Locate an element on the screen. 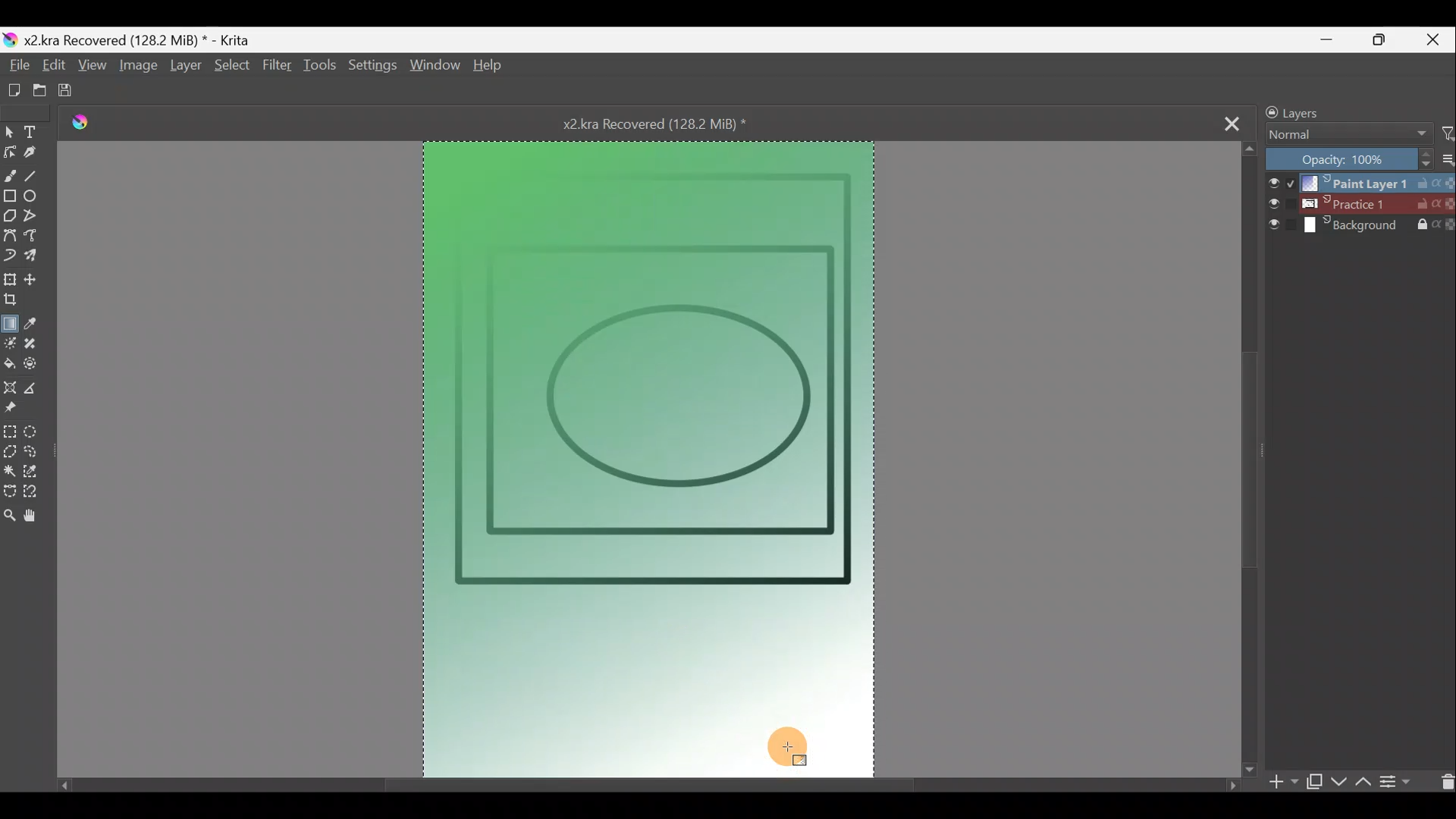 This screenshot has width=1456, height=819. Filter is located at coordinates (277, 73).